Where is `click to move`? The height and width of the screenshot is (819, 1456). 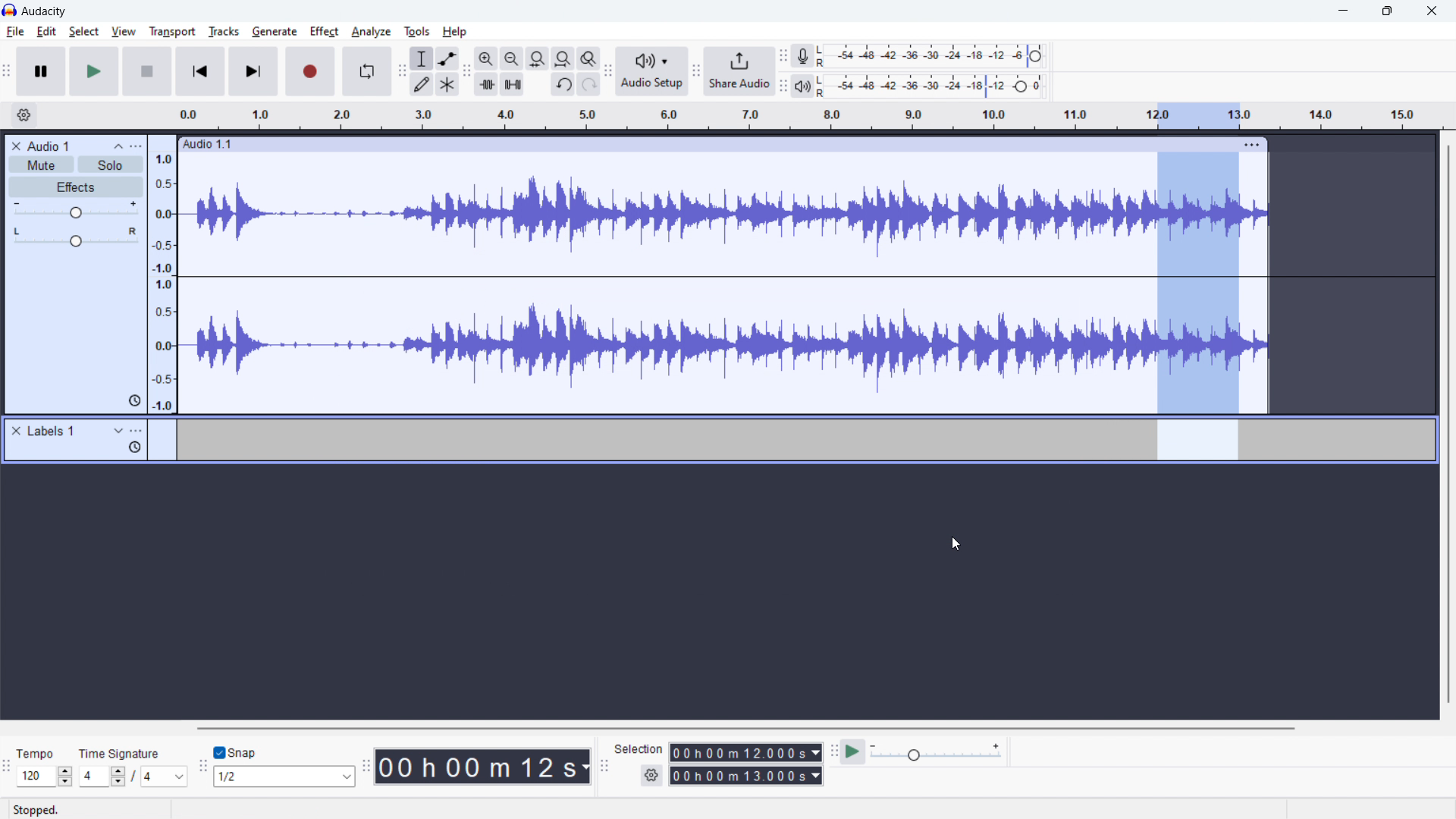 click to move is located at coordinates (700, 144).